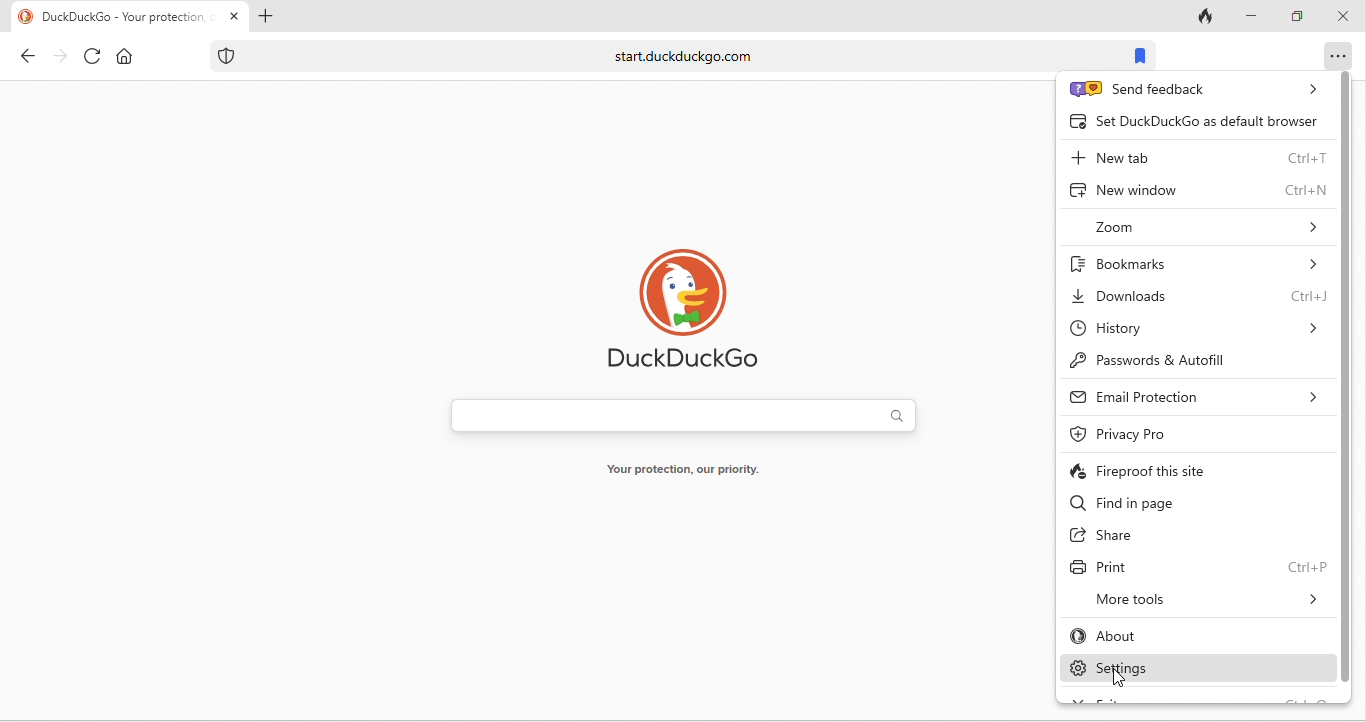 The height and width of the screenshot is (722, 1366). What do you see at coordinates (1168, 433) in the screenshot?
I see `privacy pro` at bounding box center [1168, 433].